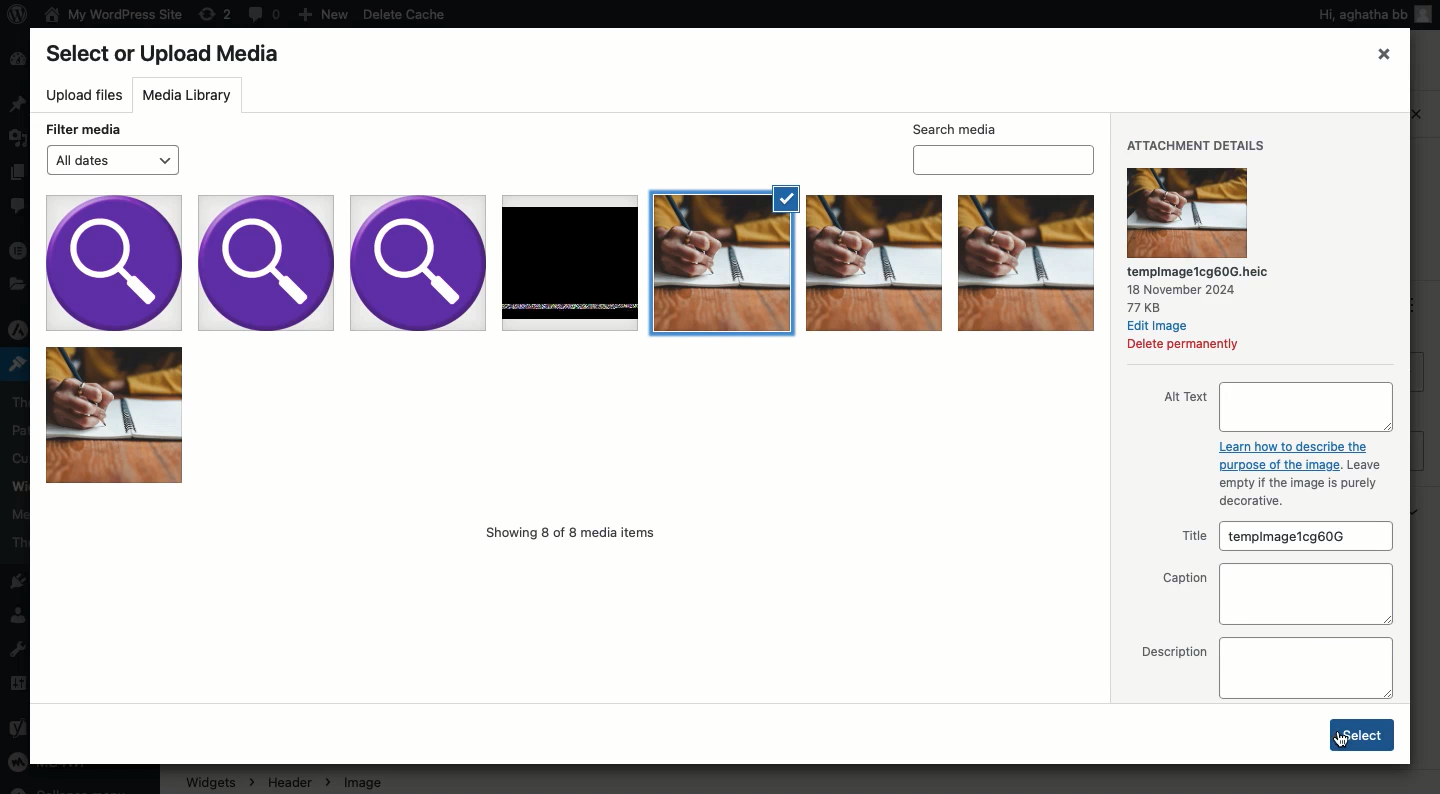 This screenshot has width=1440, height=794. What do you see at coordinates (572, 339) in the screenshot?
I see `Images` at bounding box center [572, 339].